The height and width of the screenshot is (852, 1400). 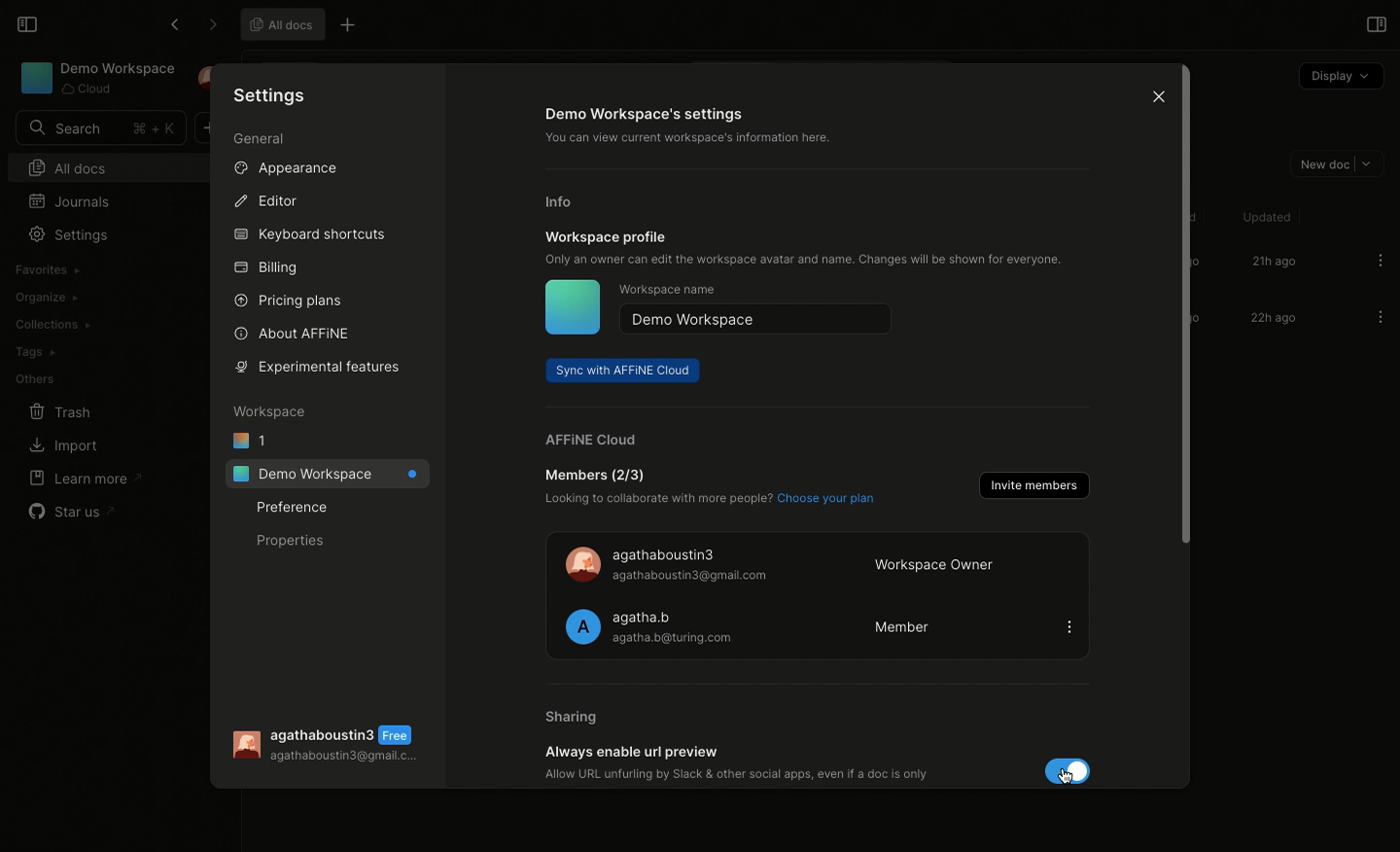 What do you see at coordinates (98, 128) in the screenshot?
I see `Search bar` at bounding box center [98, 128].